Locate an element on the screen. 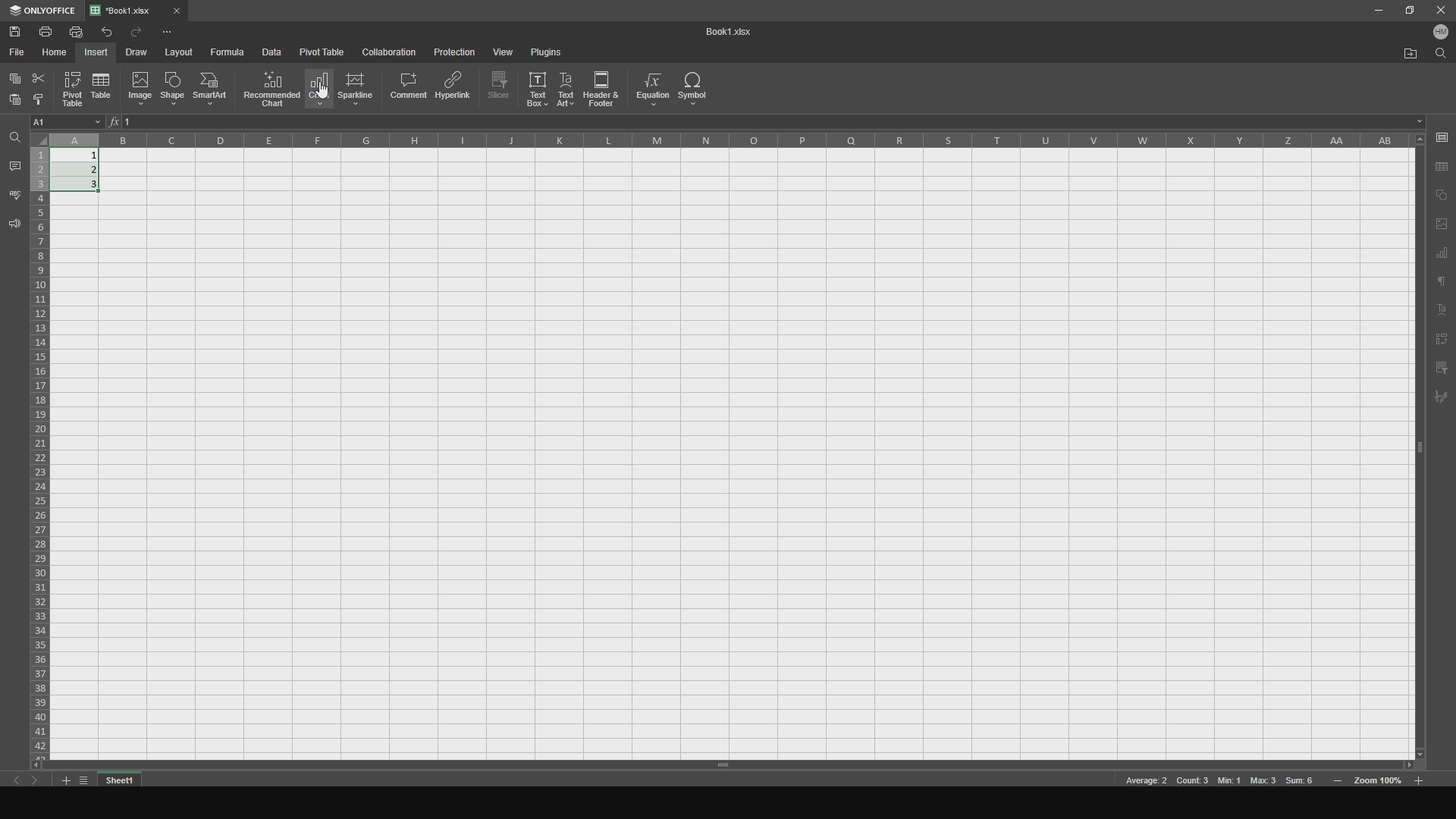 The width and height of the screenshot is (1456, 819). meta data is located at coordinates (1219, 782).